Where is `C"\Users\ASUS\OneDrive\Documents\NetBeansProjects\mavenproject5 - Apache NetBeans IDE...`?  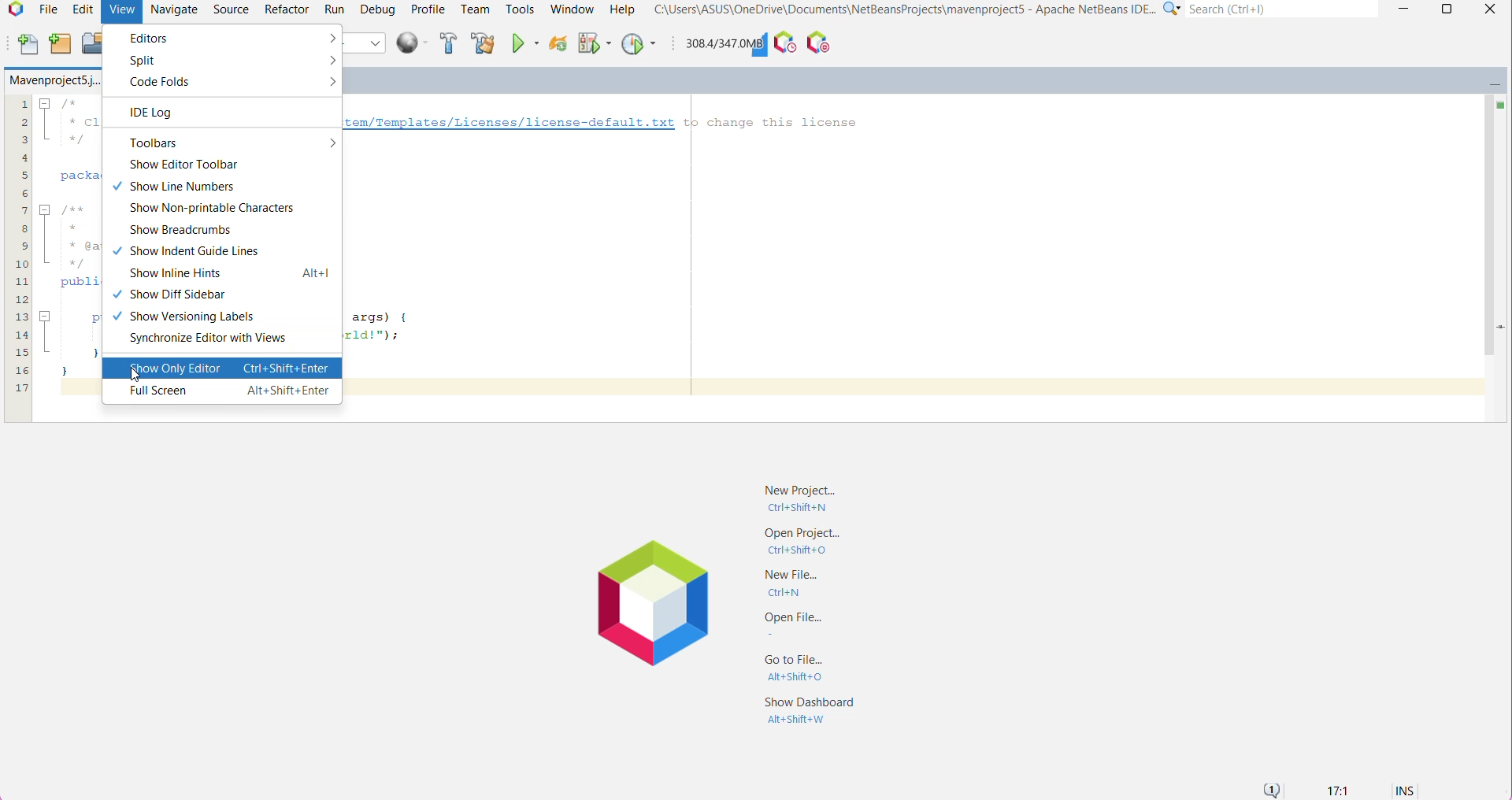
C"\Users\ASUS\OneDrive\Documents\NetBeansProjects\mavenproject5 - Apache NetBeans IDE... is located at coordinates (900, 10).